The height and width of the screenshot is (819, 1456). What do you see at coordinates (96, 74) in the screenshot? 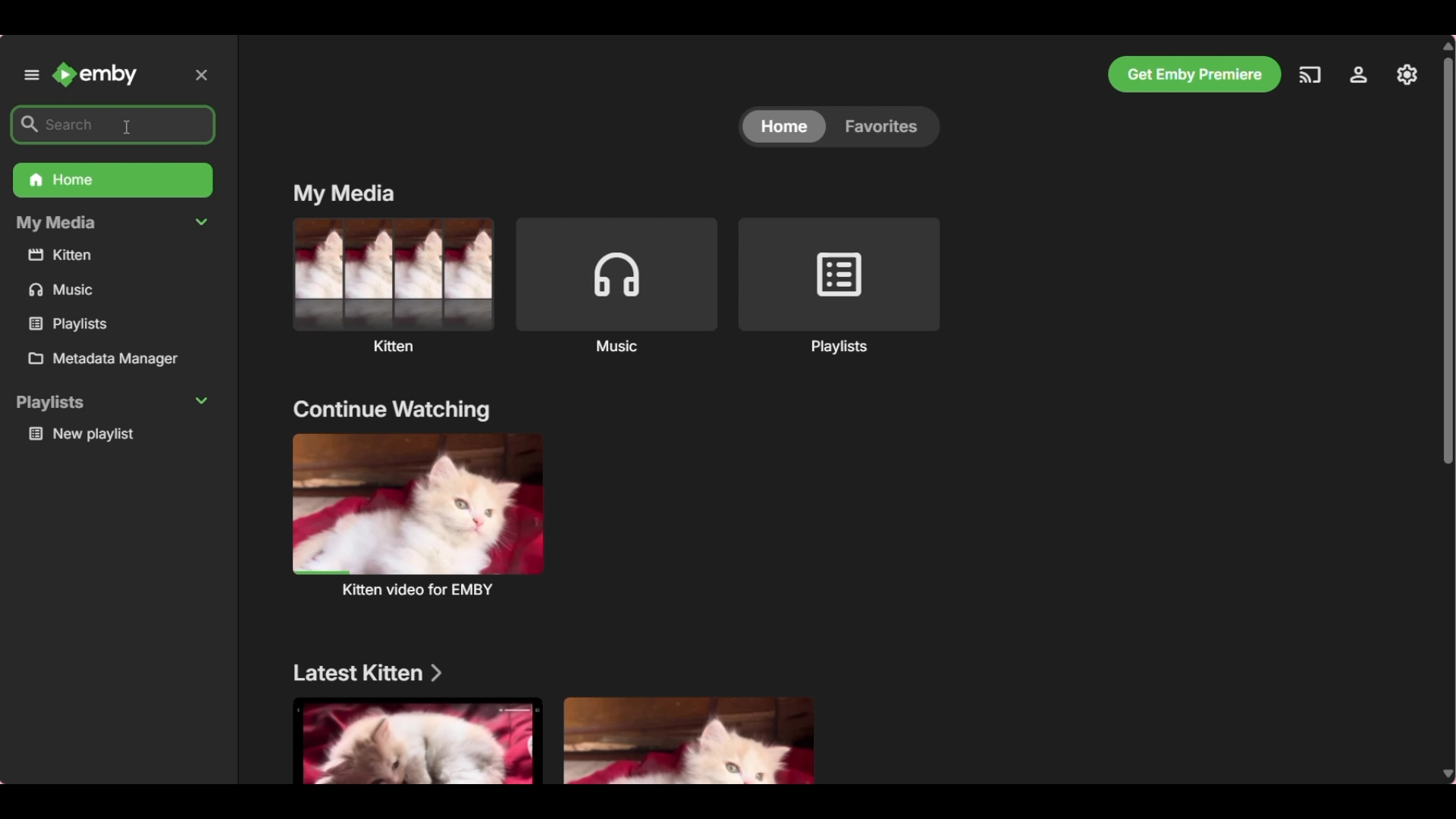
I see `Emby` at bounding box center [96, 74].